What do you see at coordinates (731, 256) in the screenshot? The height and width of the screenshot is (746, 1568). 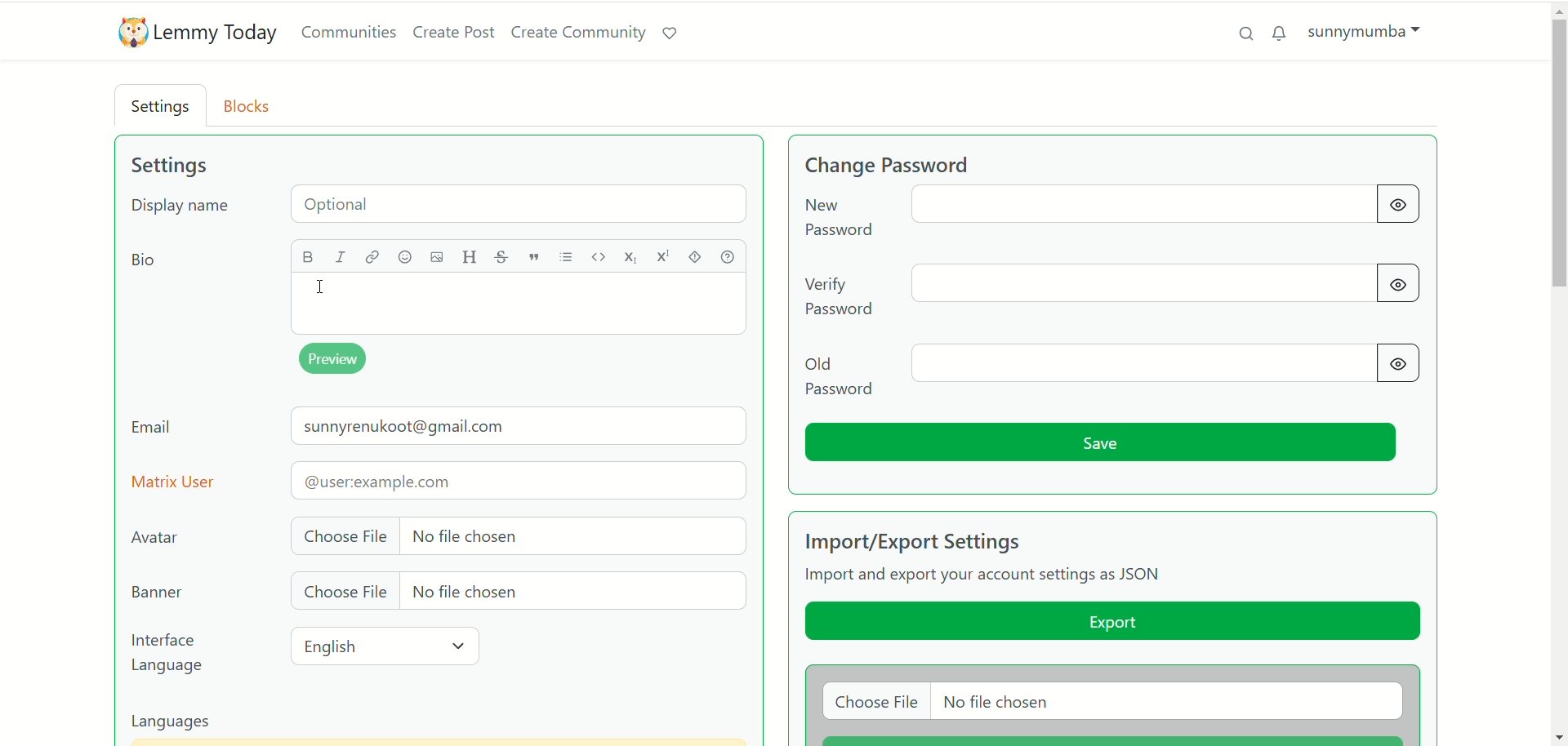 I see `help` at bounding box center [731, 256].